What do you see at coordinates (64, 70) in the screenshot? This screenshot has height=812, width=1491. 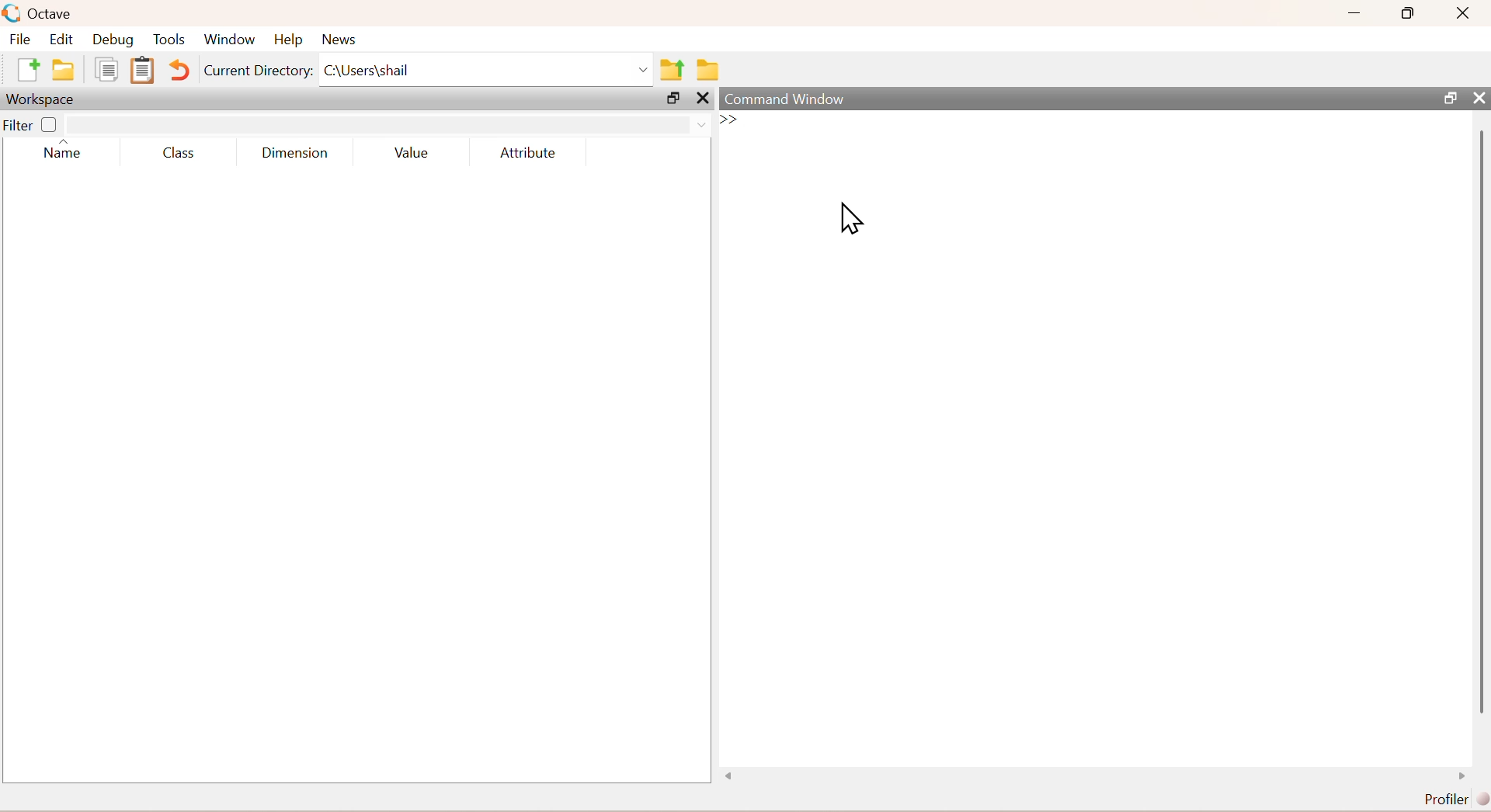 I see `folder` at bounding box center [64, 70].